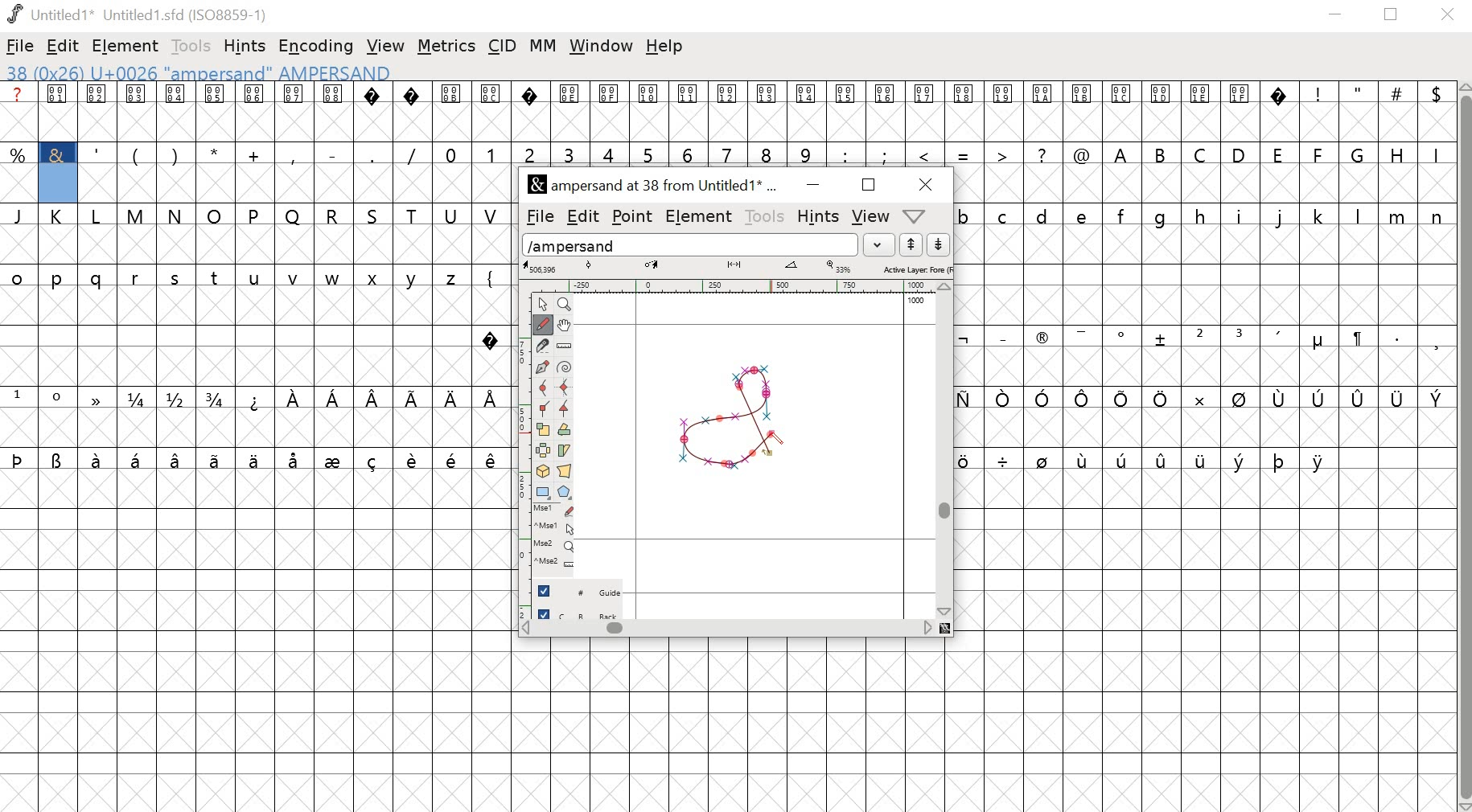  What do you see at coordinates (20, 215) in the screenshot?
I see `J` at bounding box center [20, 215].